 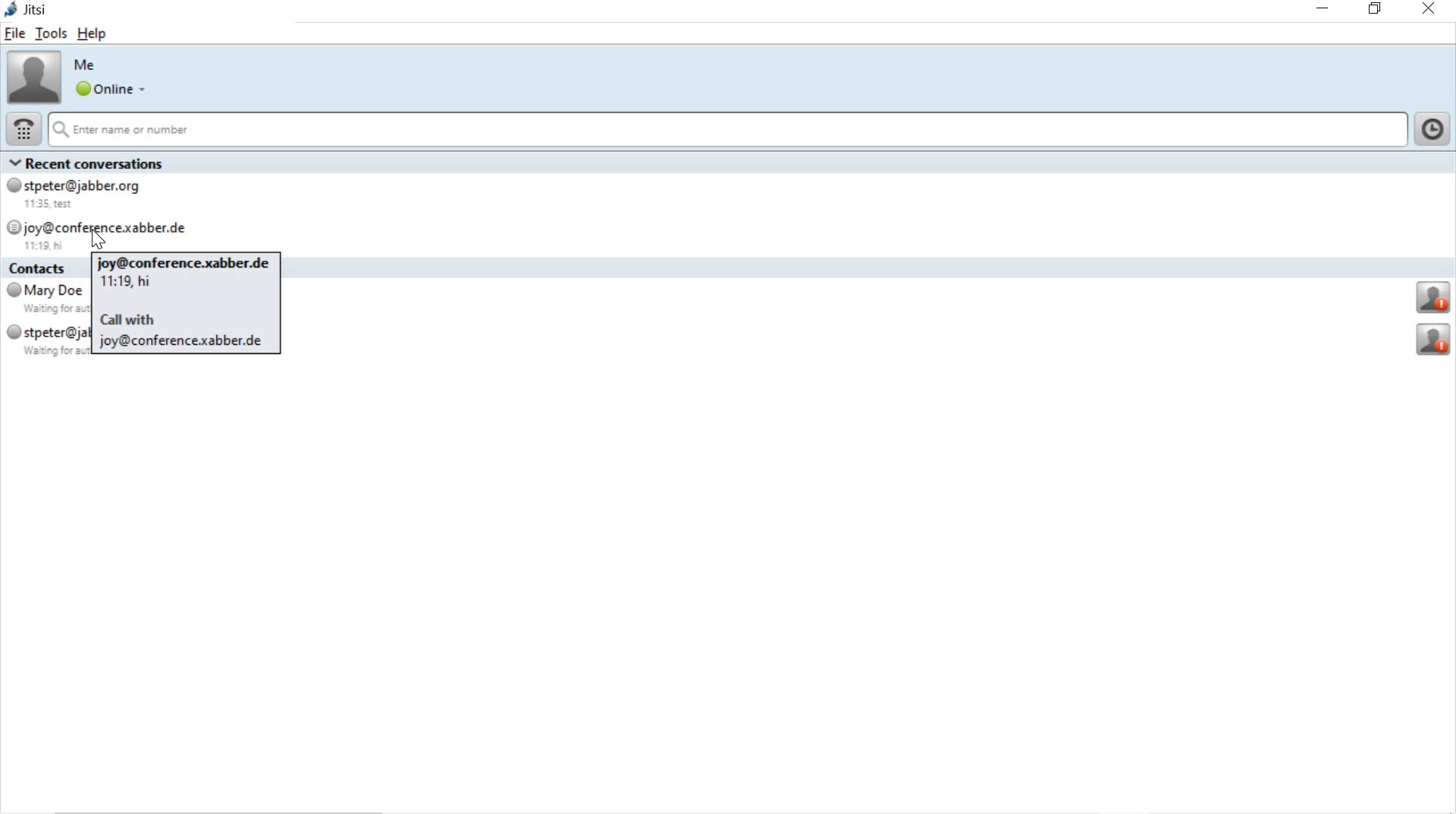 What do you see at coordinates (30, 11) in the screenshot?
I see `jitsi` at bounding box center [30, 11].